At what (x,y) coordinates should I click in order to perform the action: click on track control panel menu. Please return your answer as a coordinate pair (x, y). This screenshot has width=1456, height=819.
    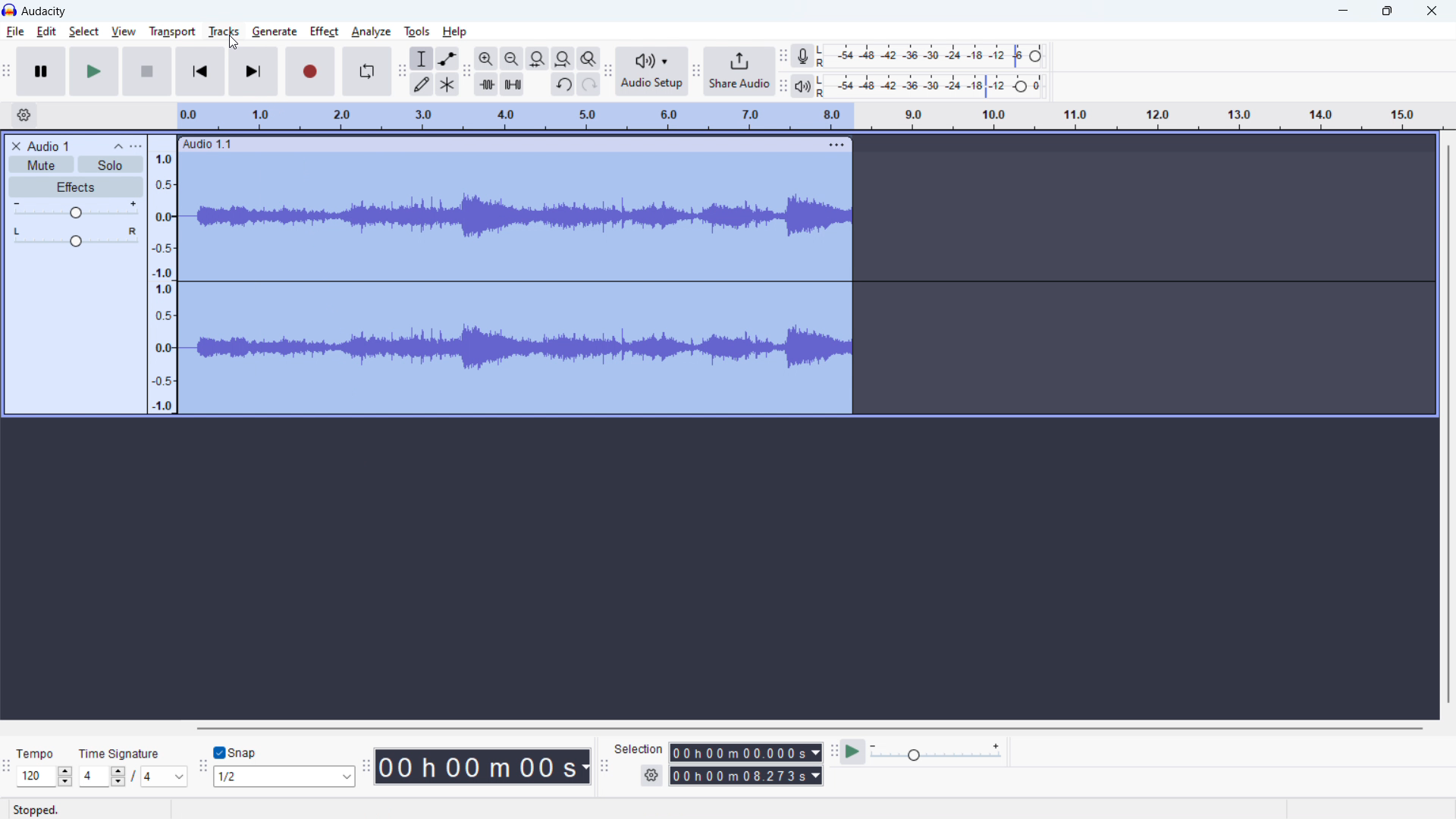
    Looking at the image, I should click on (136, 146).